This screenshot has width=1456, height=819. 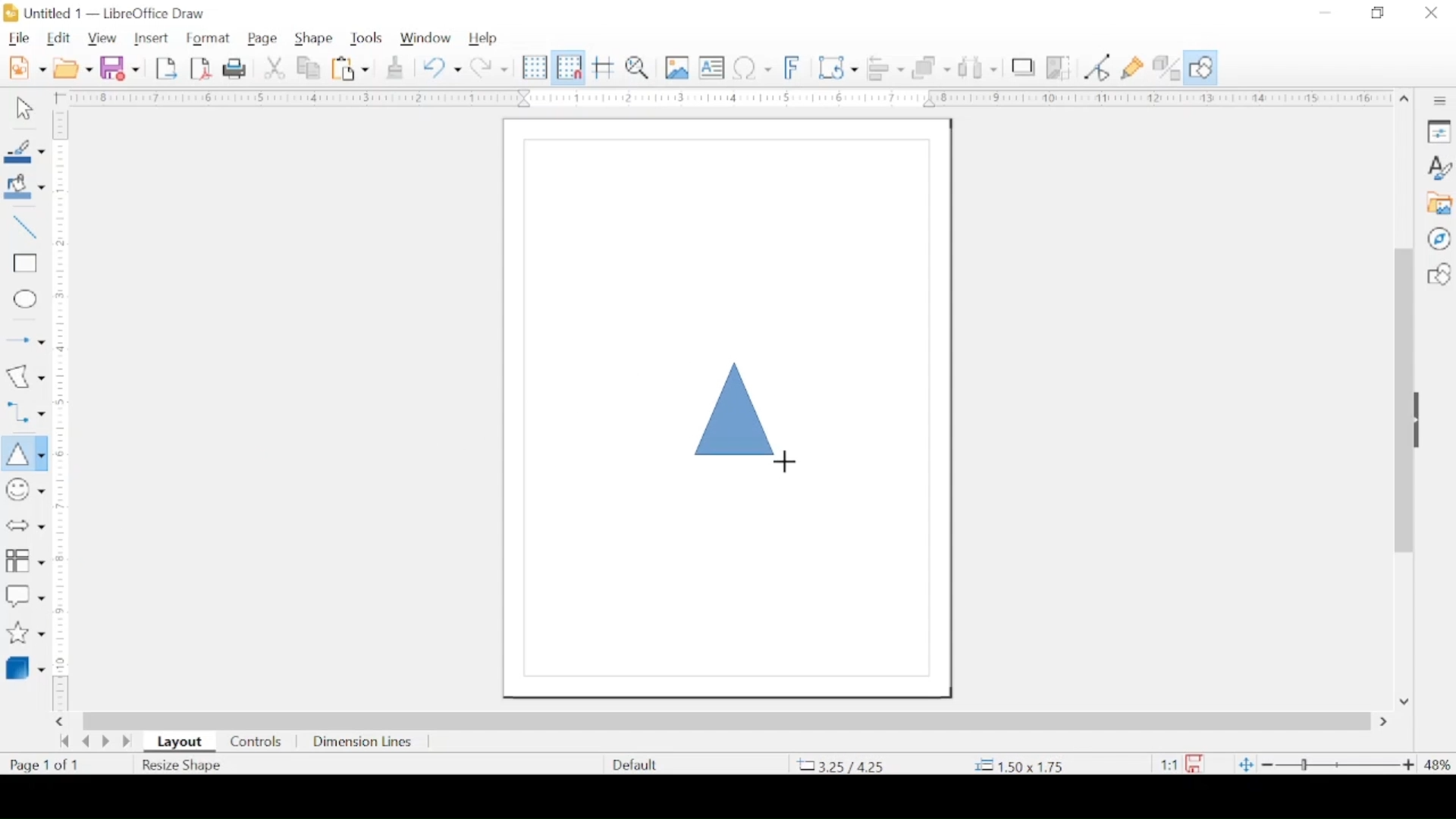 What do you see at coordinates (24, 490) in the screenshot?
I see `insert symbols and shapes` at bounding box center [24, 490].